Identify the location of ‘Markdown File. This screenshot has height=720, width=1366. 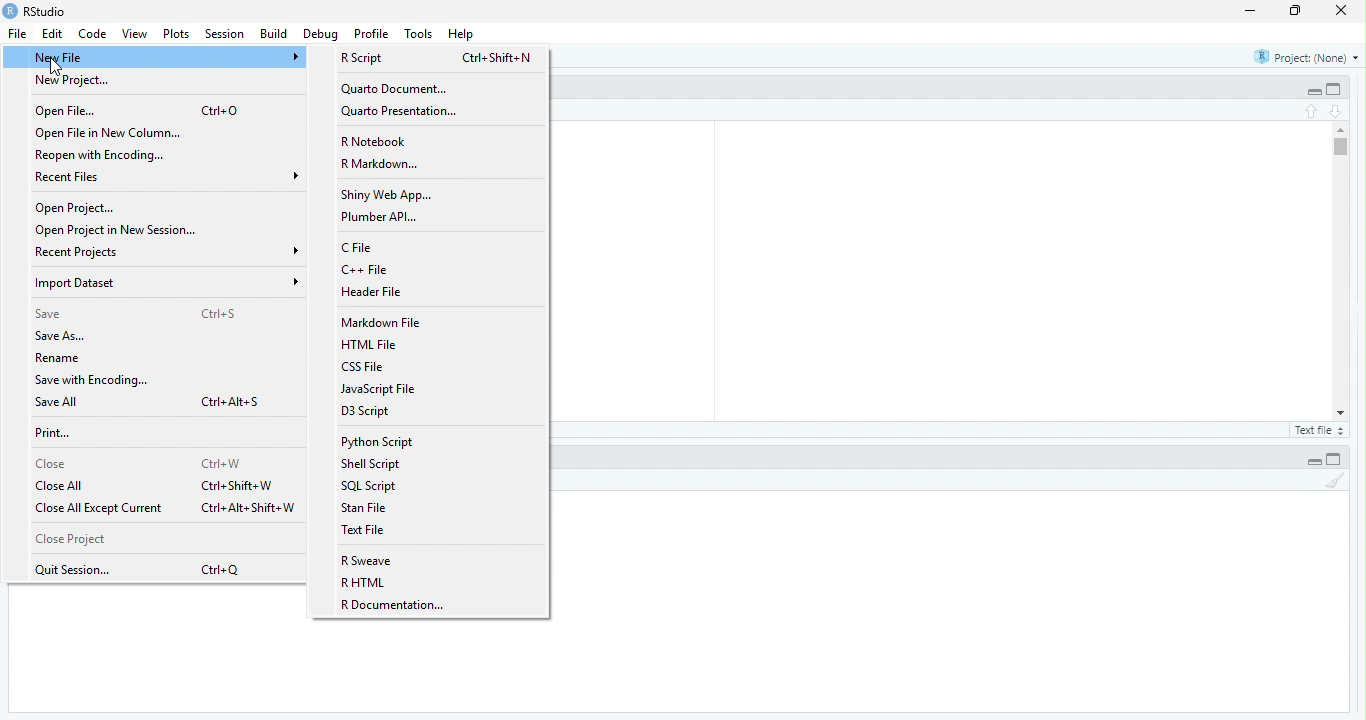
(384, 323).